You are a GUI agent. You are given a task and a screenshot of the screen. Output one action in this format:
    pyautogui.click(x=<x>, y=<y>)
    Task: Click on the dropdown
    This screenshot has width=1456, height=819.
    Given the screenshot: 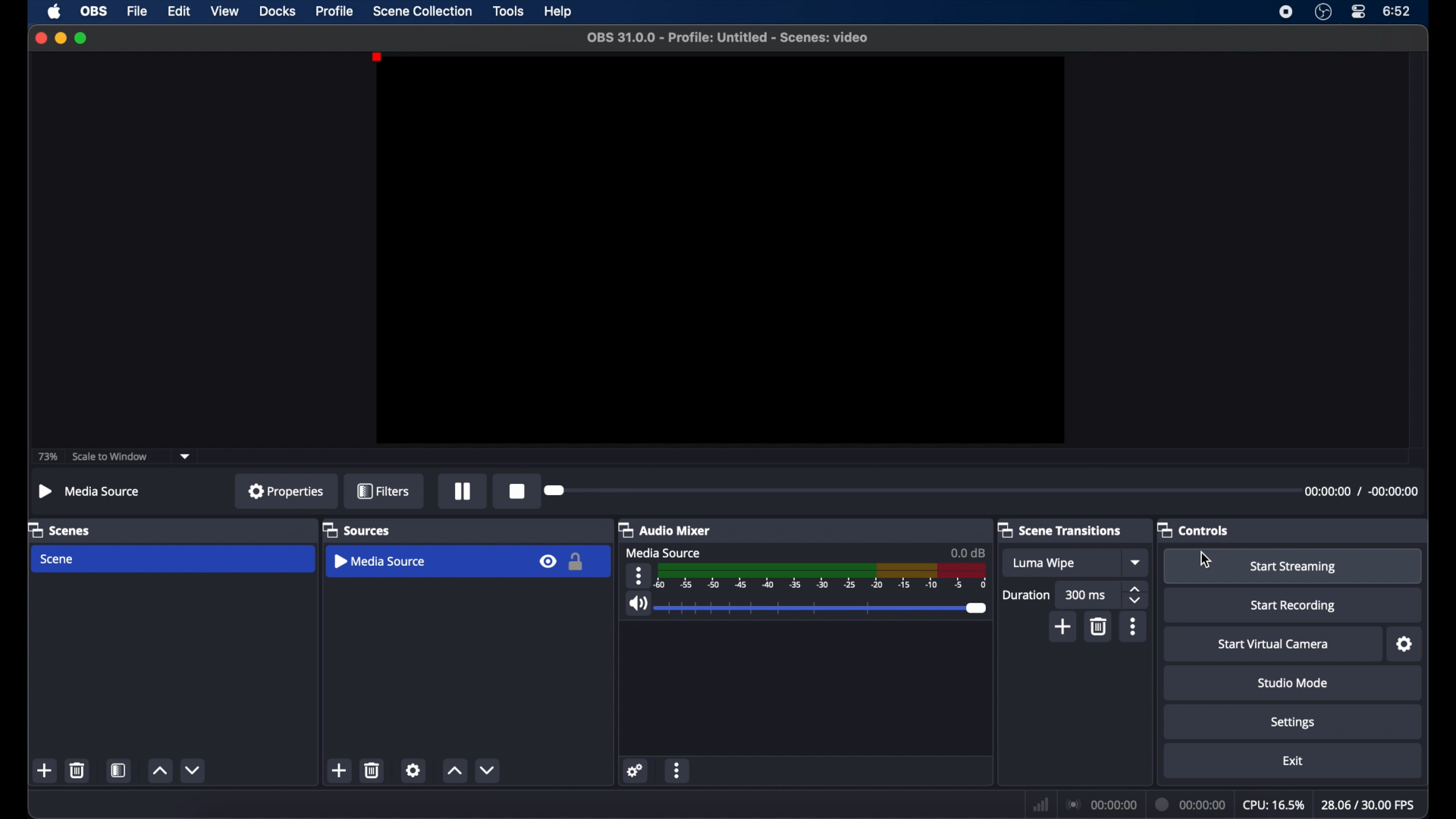 What is the action you would take?
    pyautogui.click(x=184, y=455)
    